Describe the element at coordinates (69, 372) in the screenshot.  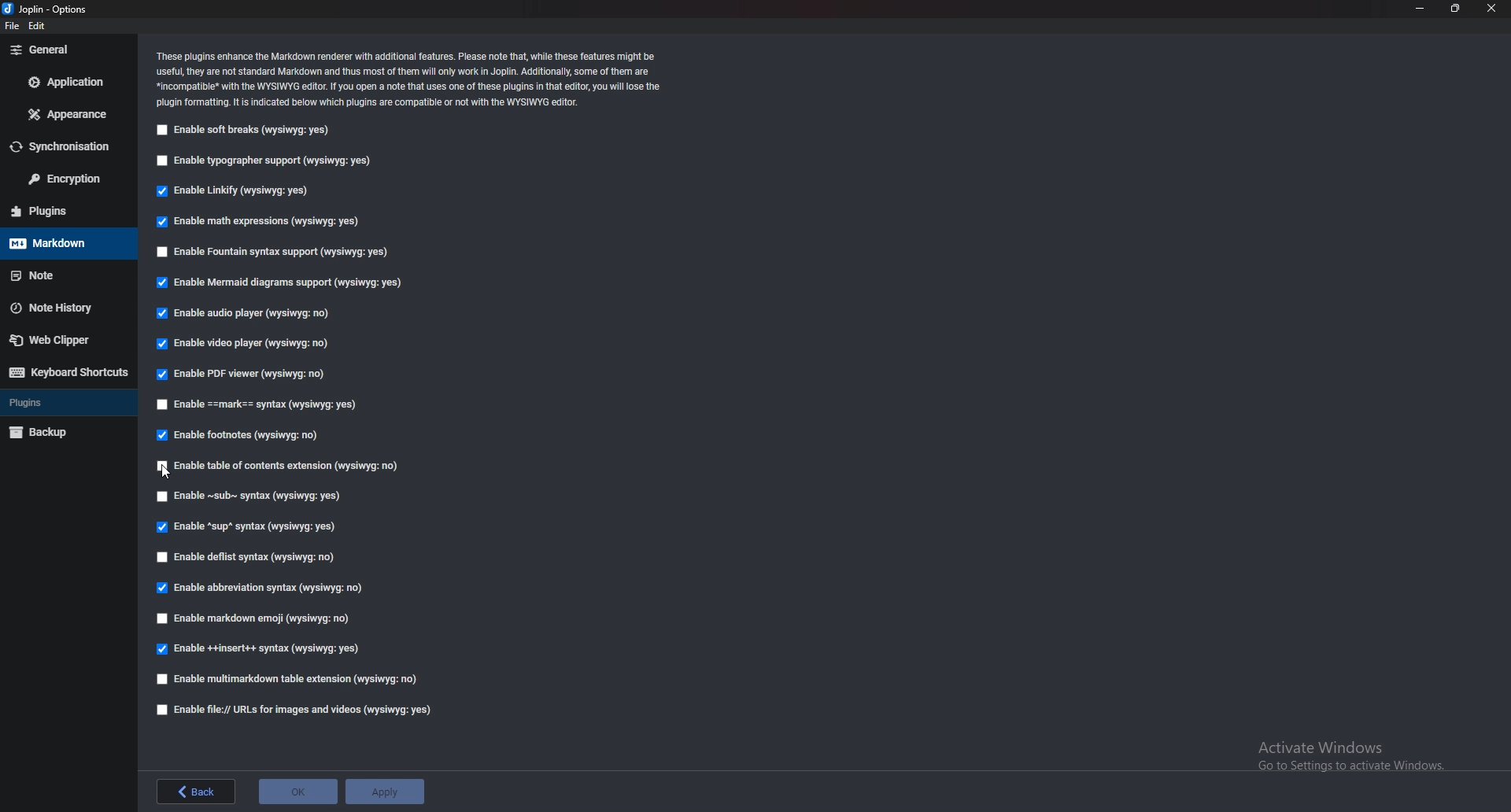
I see `Keyboard shortcuts` at that location.